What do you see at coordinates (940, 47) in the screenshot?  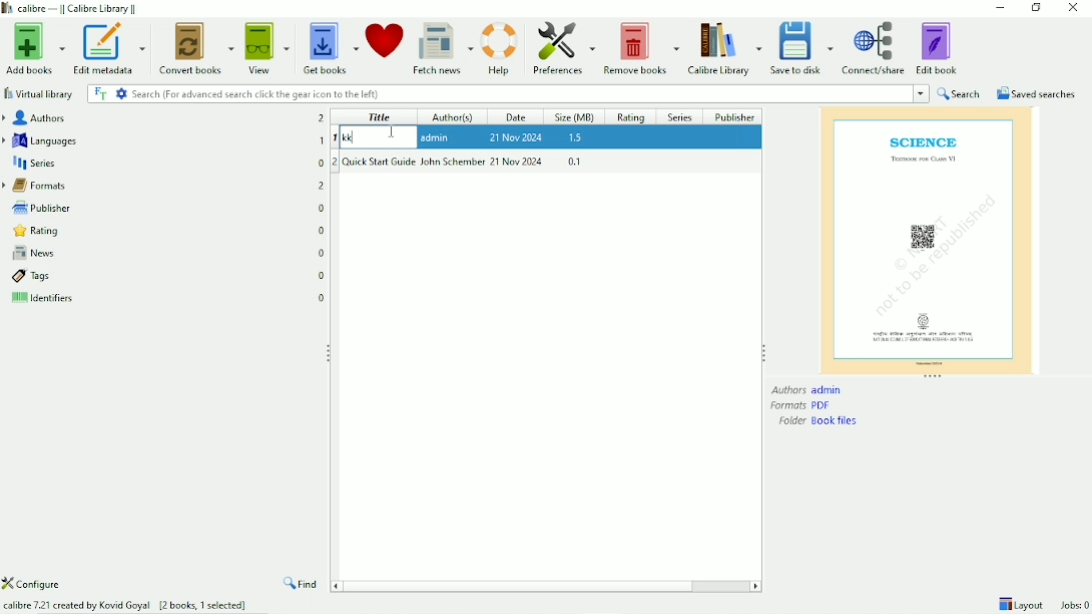 I see `Edit book` at bounding box center [940, 47].